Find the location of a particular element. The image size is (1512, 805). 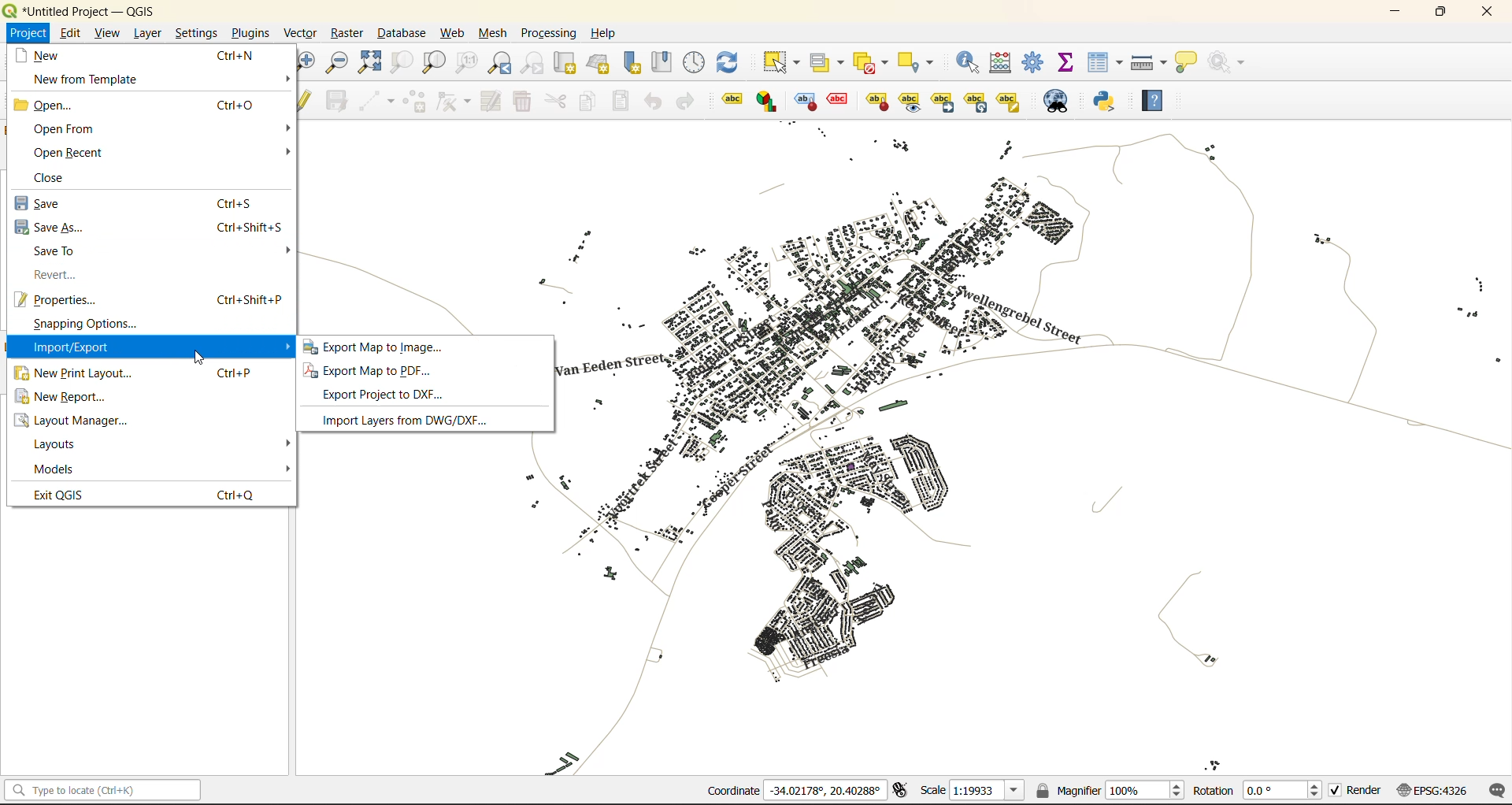

open recent is located at coordinates (69, 151).